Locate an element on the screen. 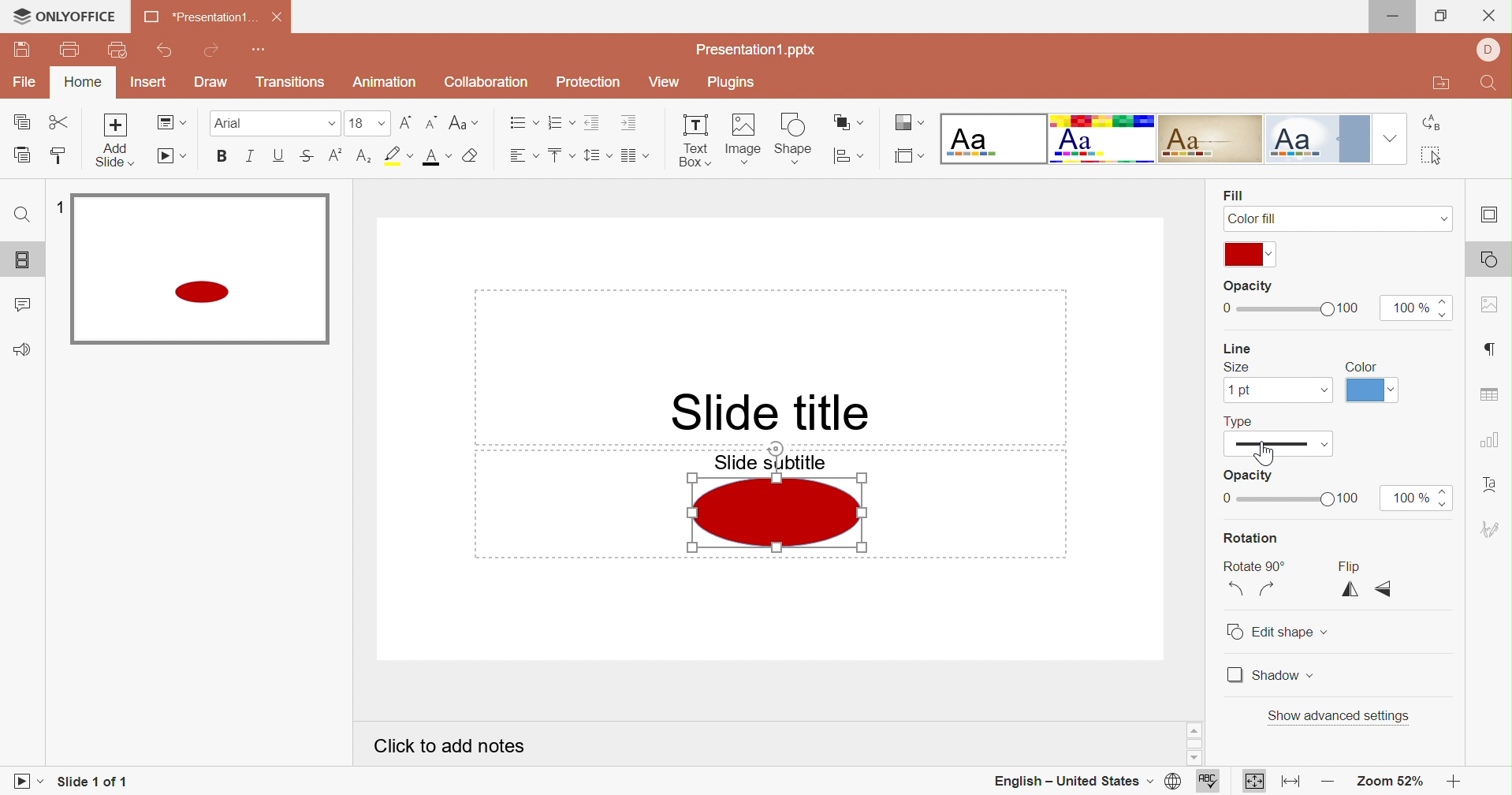  Protection is located at coordinates (590, 83).